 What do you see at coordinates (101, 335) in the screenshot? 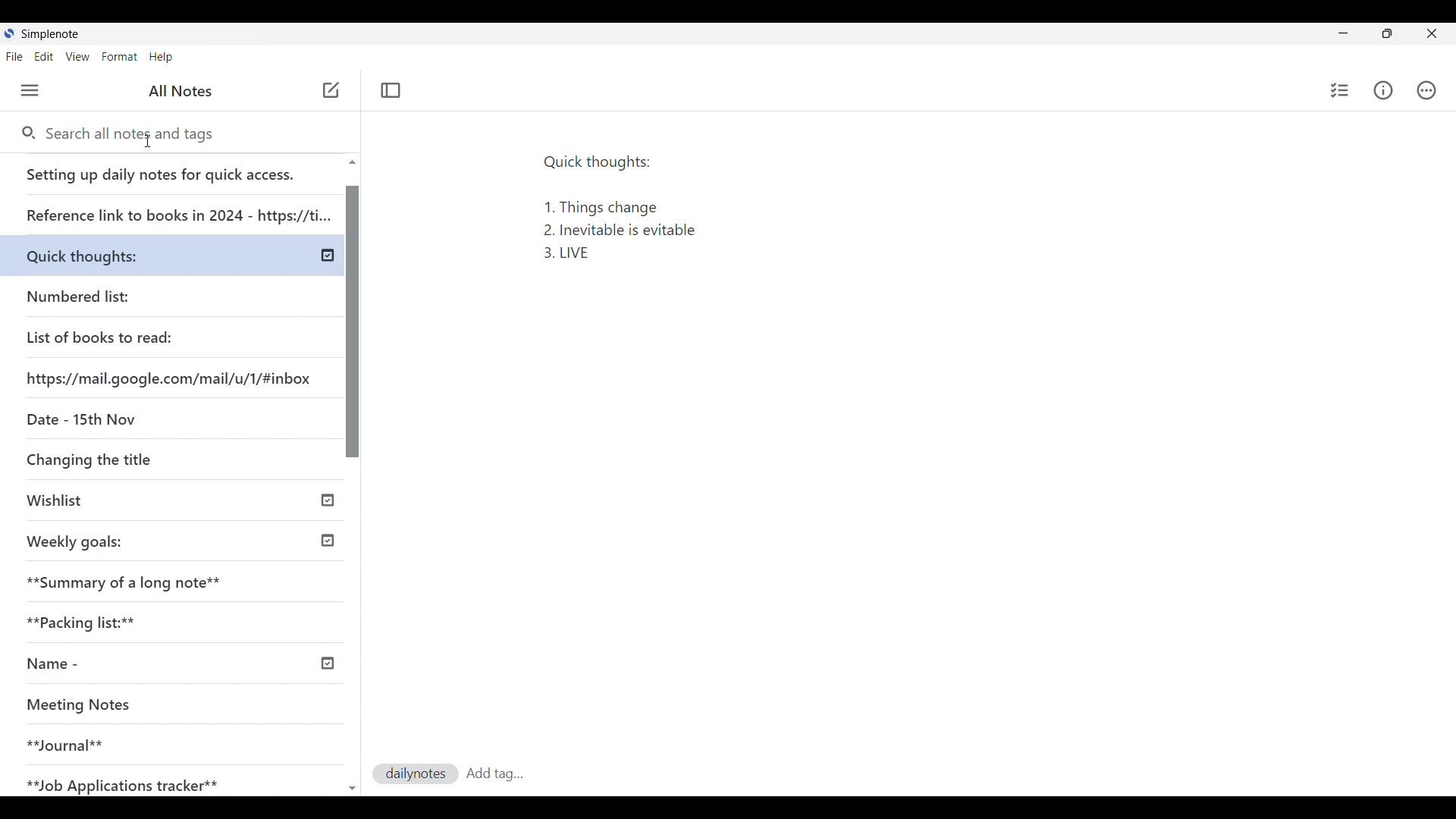
I see `List of books` at bounding box center [101, 335].